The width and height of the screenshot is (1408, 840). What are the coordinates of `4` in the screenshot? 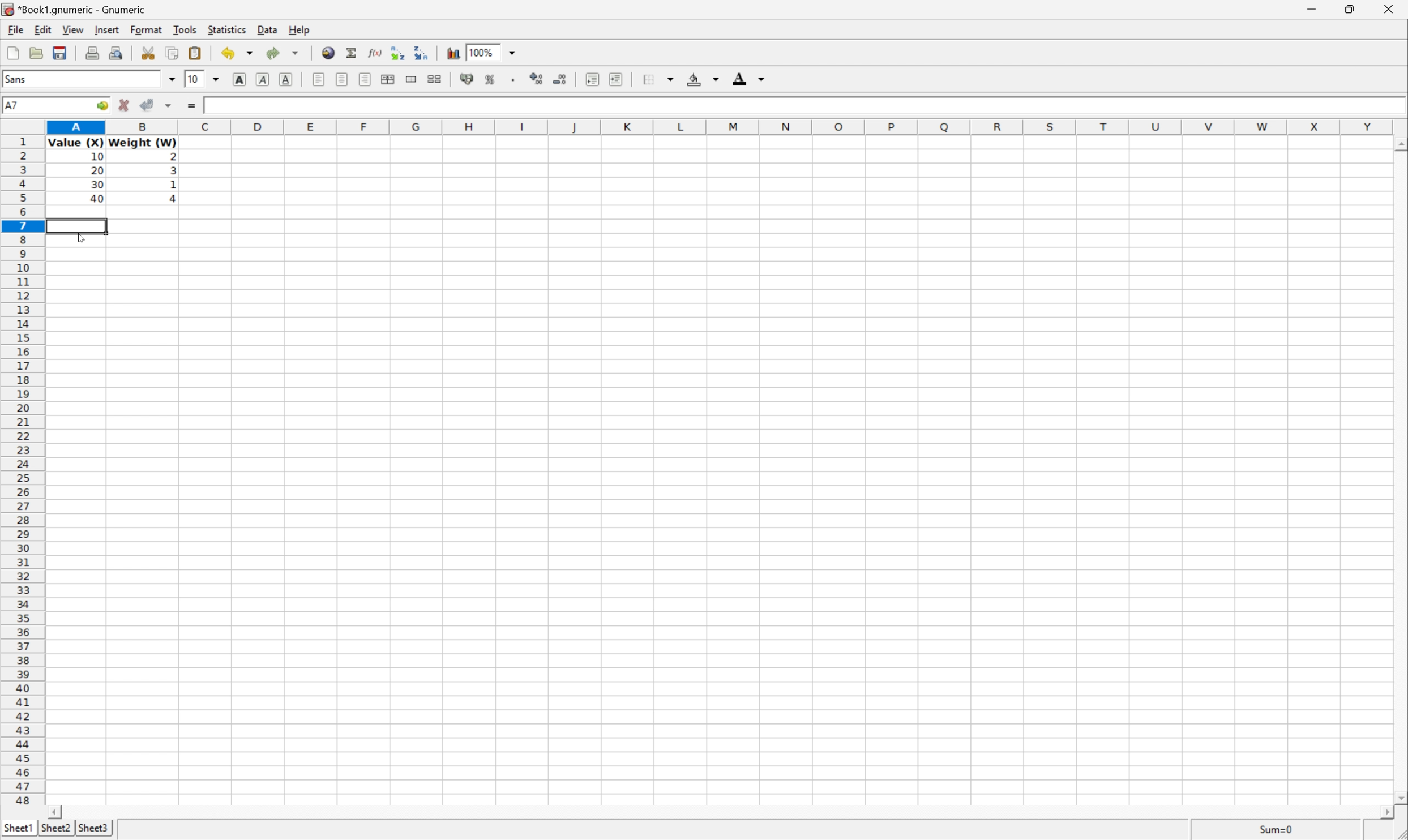 It's located at (173, 200).